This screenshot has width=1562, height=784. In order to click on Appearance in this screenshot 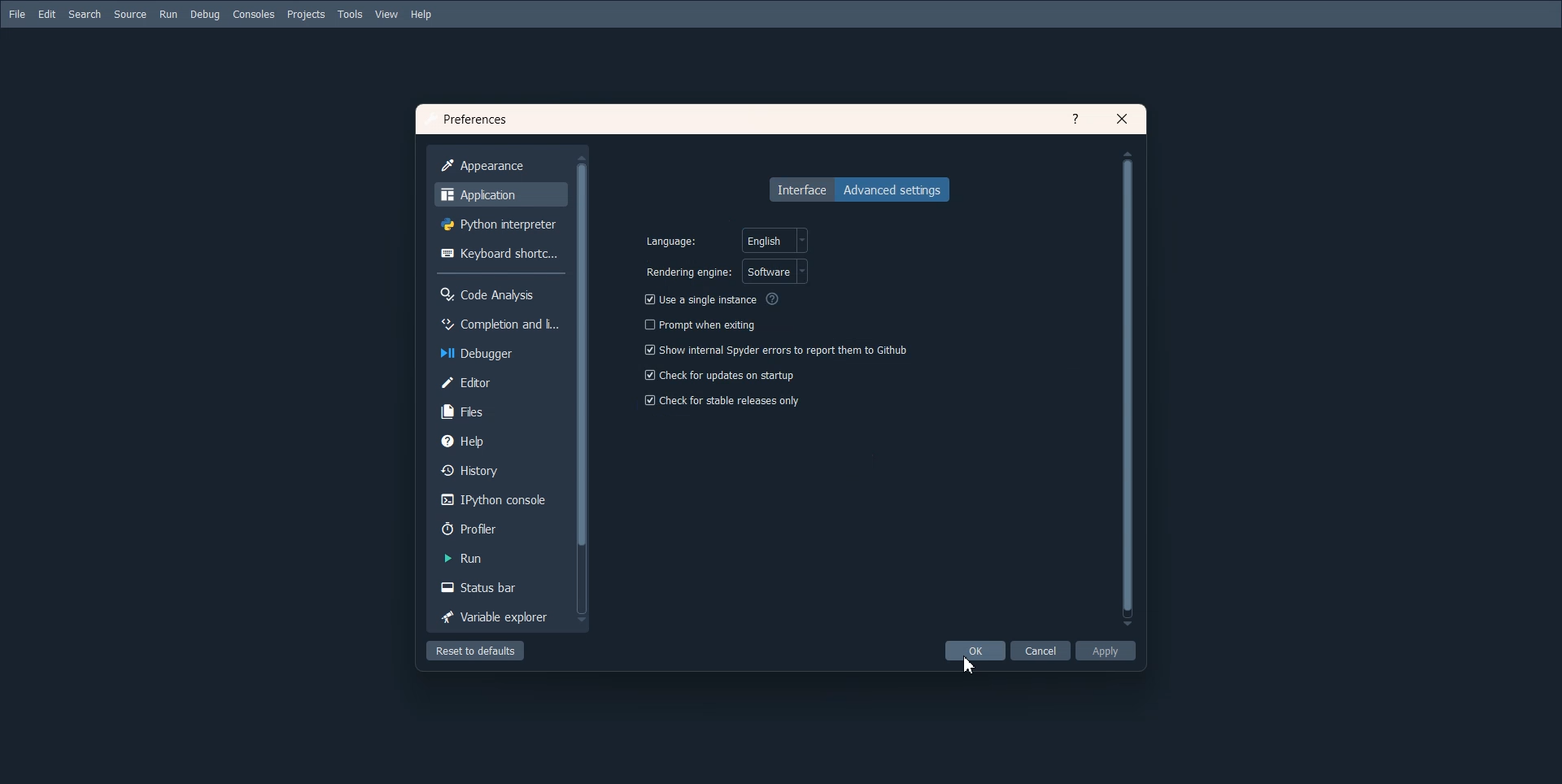, I will do `click(498, 166)`.